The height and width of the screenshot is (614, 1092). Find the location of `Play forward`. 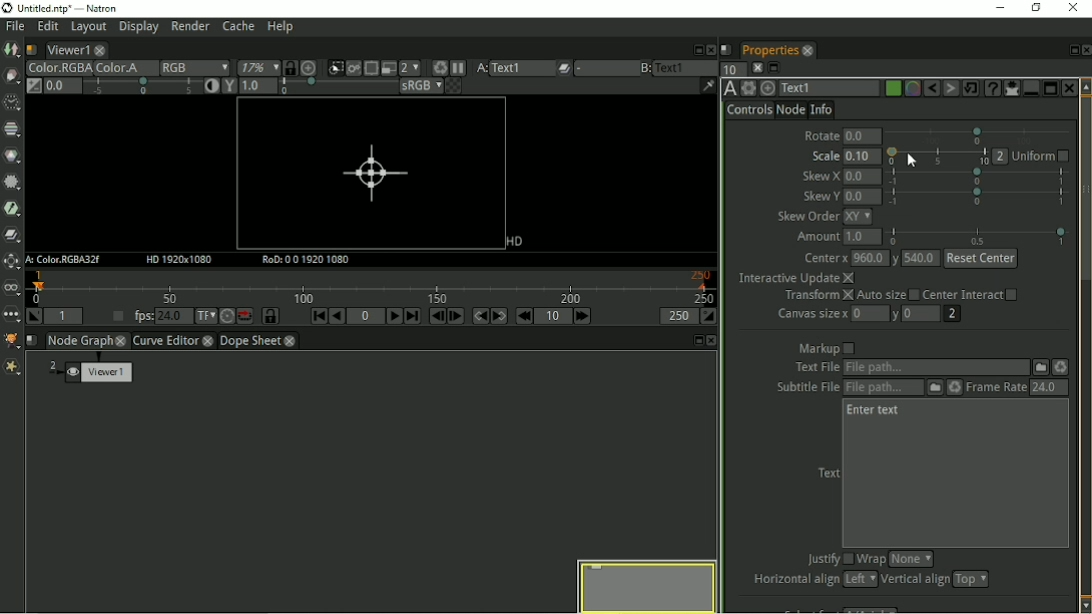

Play forward is located at coordinates (393, 316).